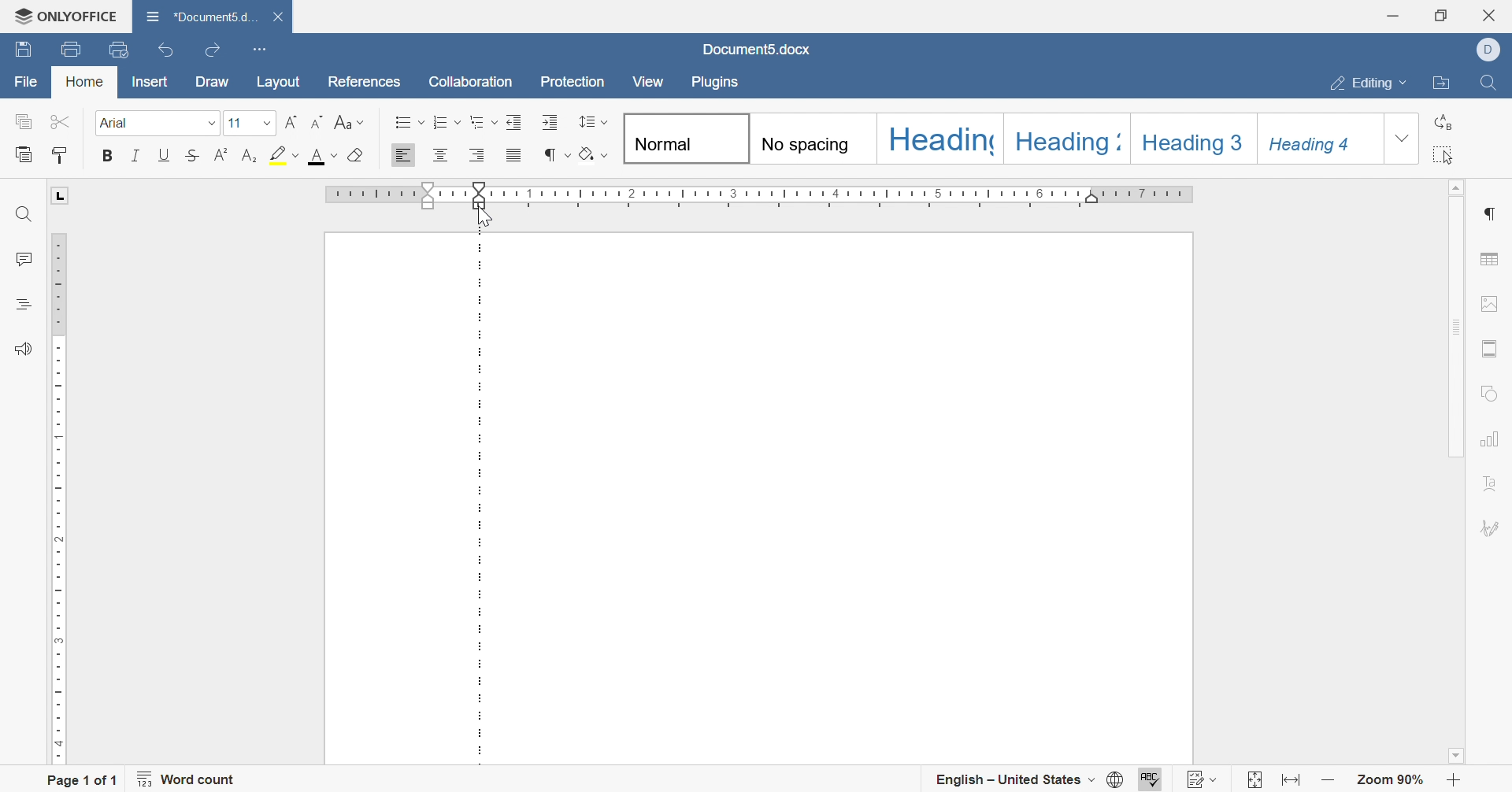 This screenshot has height=792, width=1512. I want to click on draw, so click(211, 83).